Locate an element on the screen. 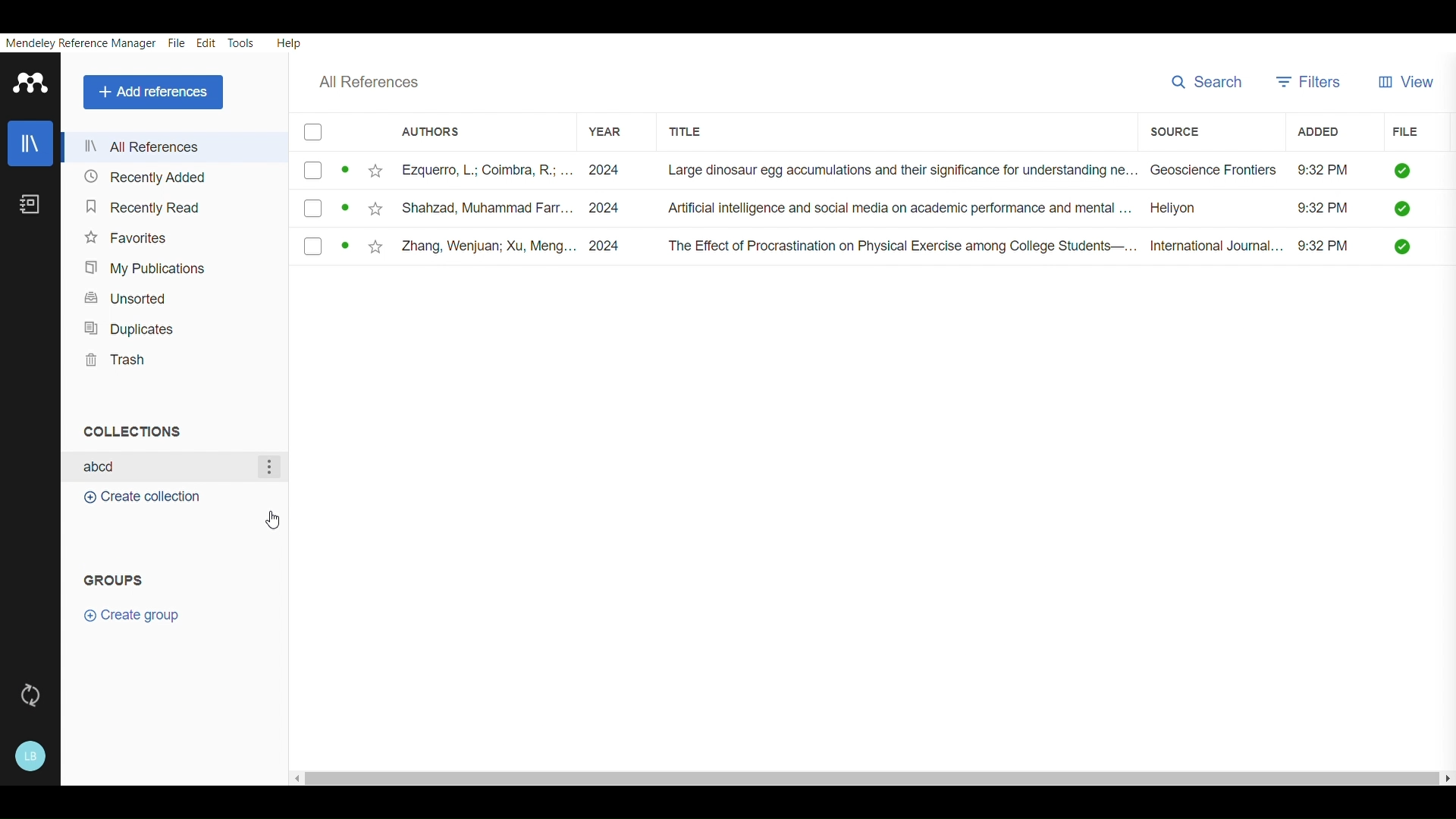  Large dinosaur egg accumulations and their significance for understanding ne... Geoscience Frontiers ~~ 9:32 PM Q is located at coordinates (1041, 172).